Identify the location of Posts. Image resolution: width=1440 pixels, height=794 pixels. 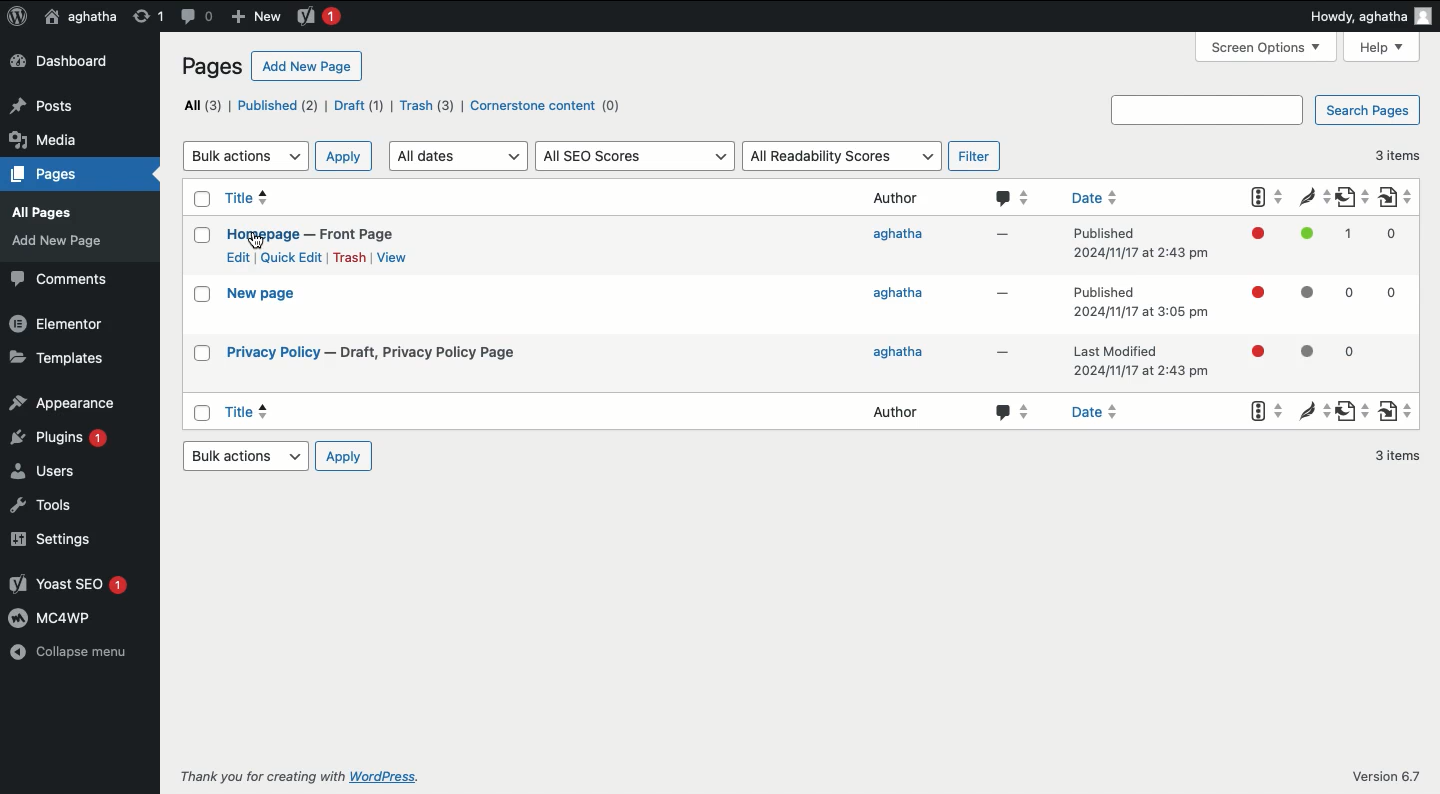
(46, 178).